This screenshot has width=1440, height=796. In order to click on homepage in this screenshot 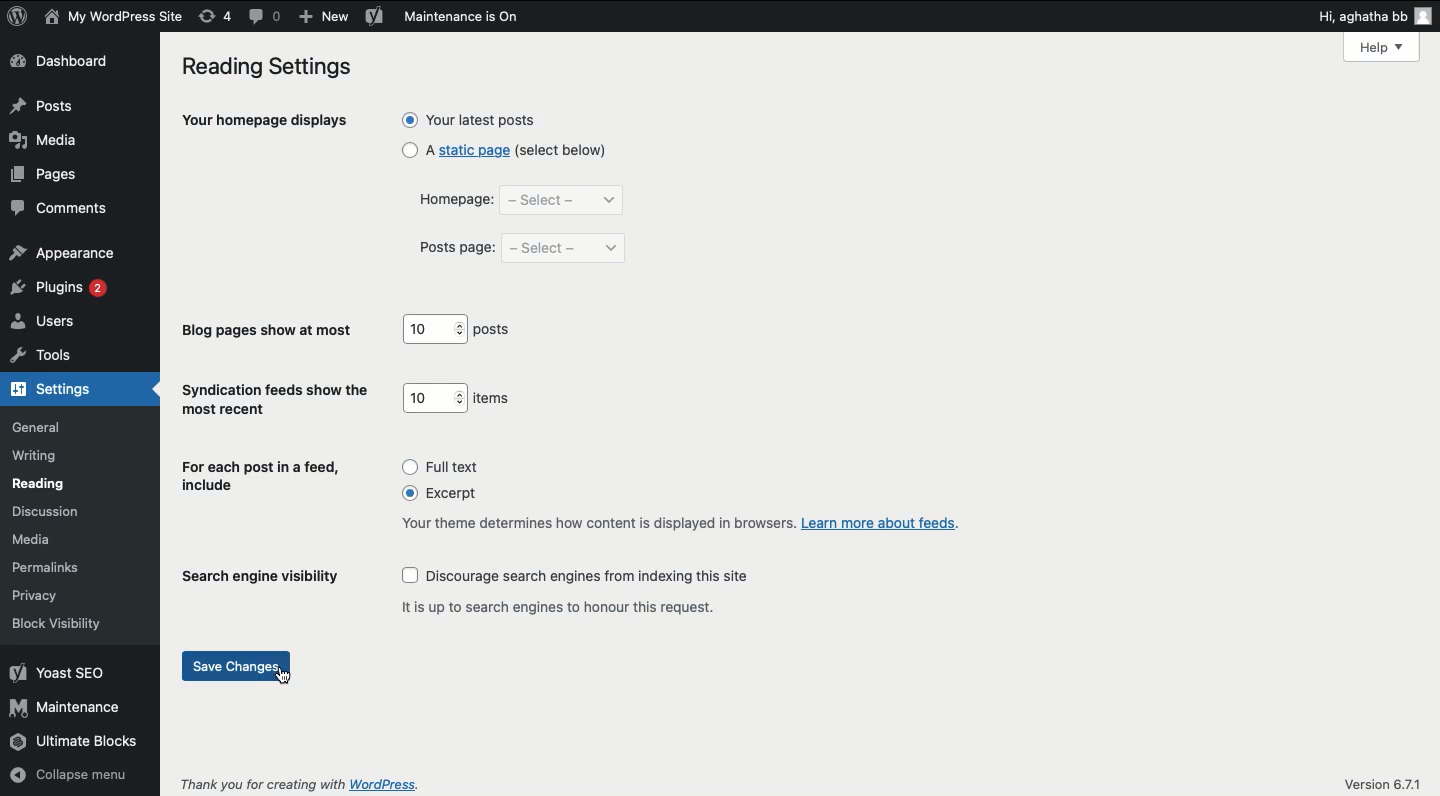, I will do `click(455, 200)`.